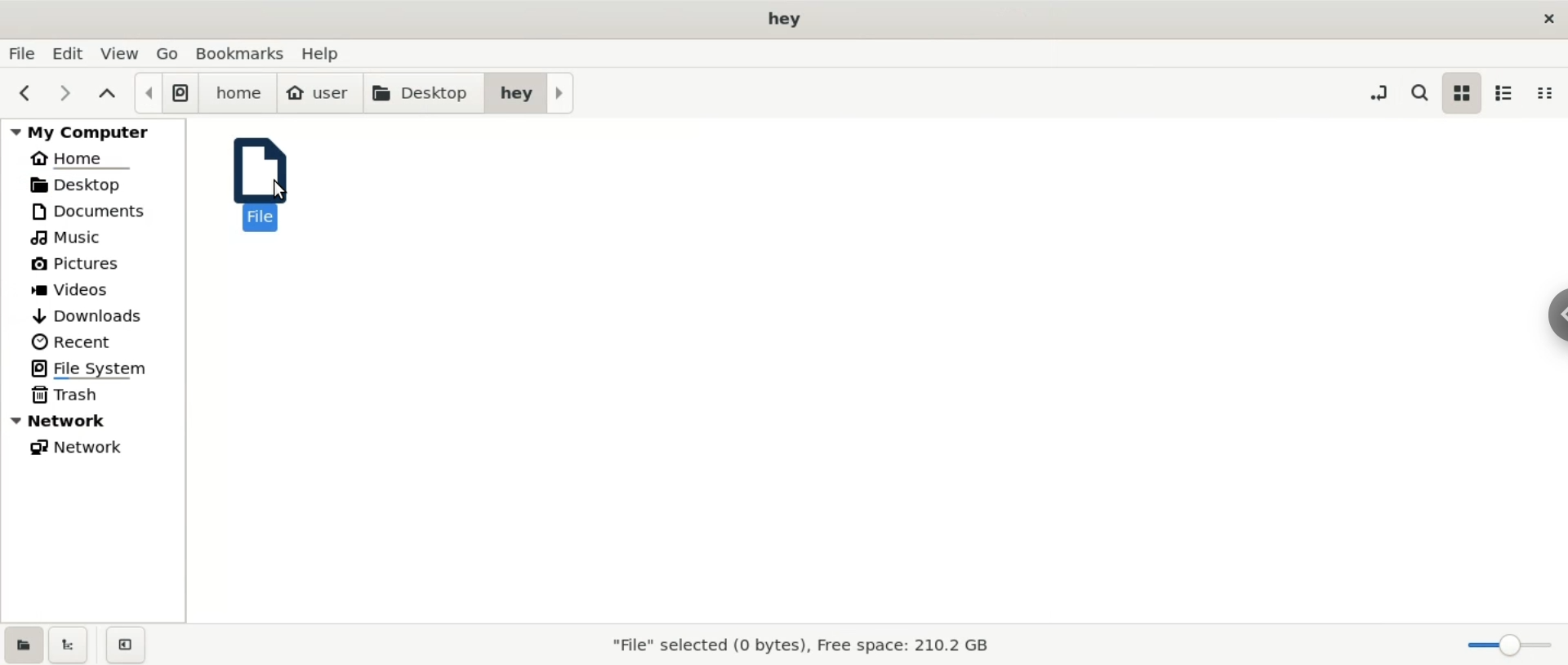 This screenshot has width=1568, height=665. What do you see at coordinates (126, 645) in the screenshot?
I see `close sidebar` at bounding box center [126, 645].